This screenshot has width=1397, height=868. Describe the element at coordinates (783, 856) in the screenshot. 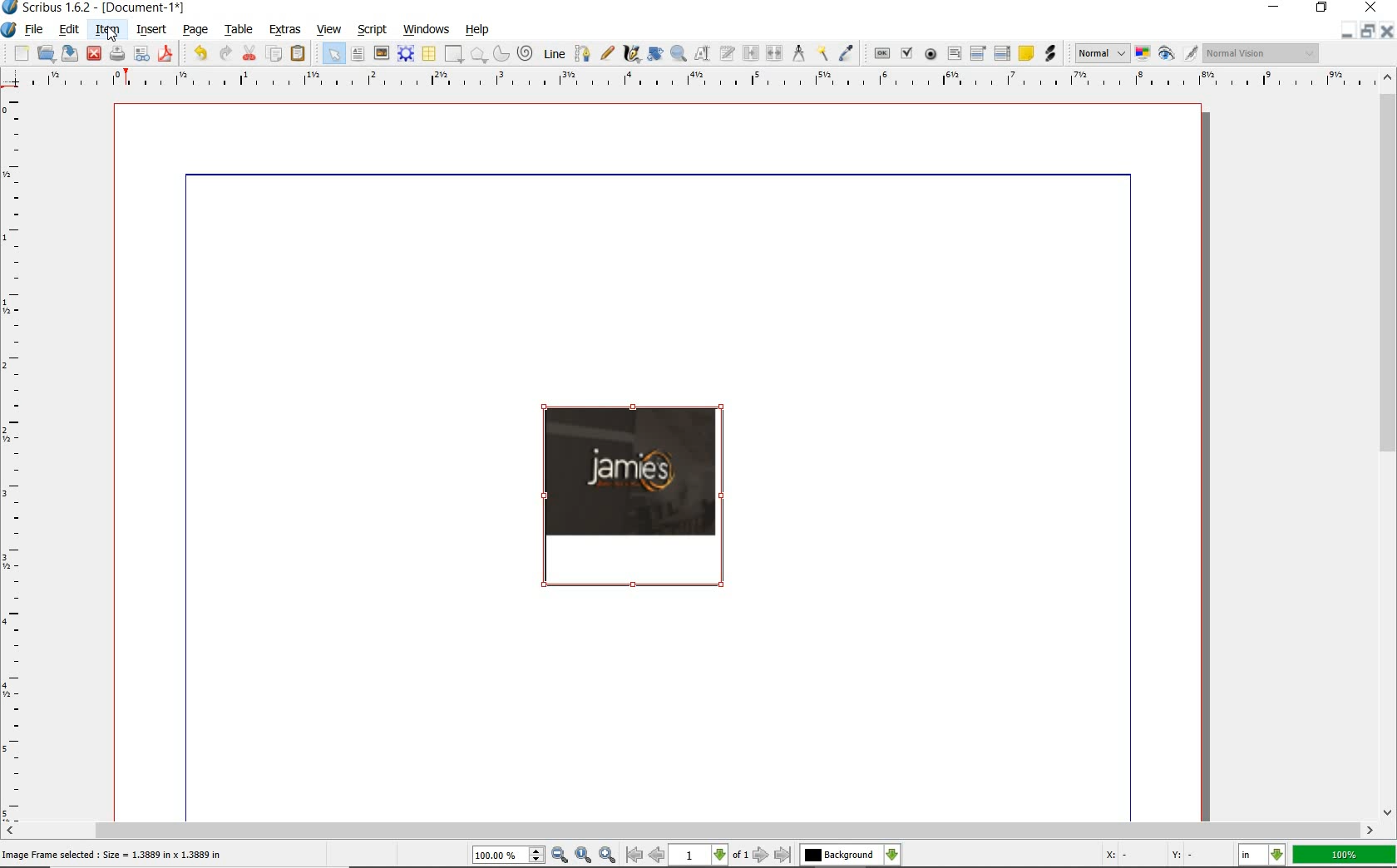

I see `Last Page` at that location.